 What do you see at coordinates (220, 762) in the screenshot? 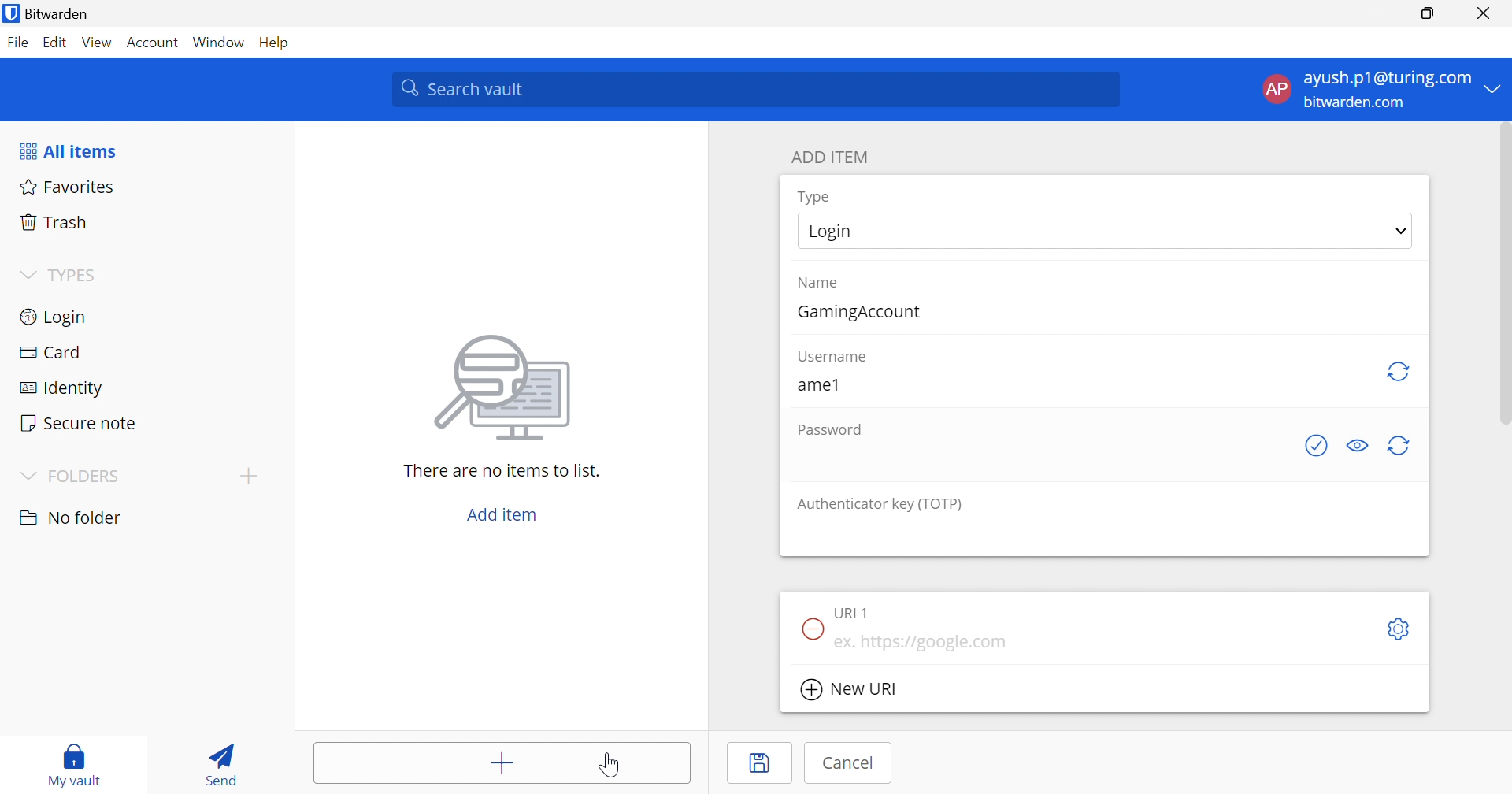
I see `Send` at bounding box center [220, 762].